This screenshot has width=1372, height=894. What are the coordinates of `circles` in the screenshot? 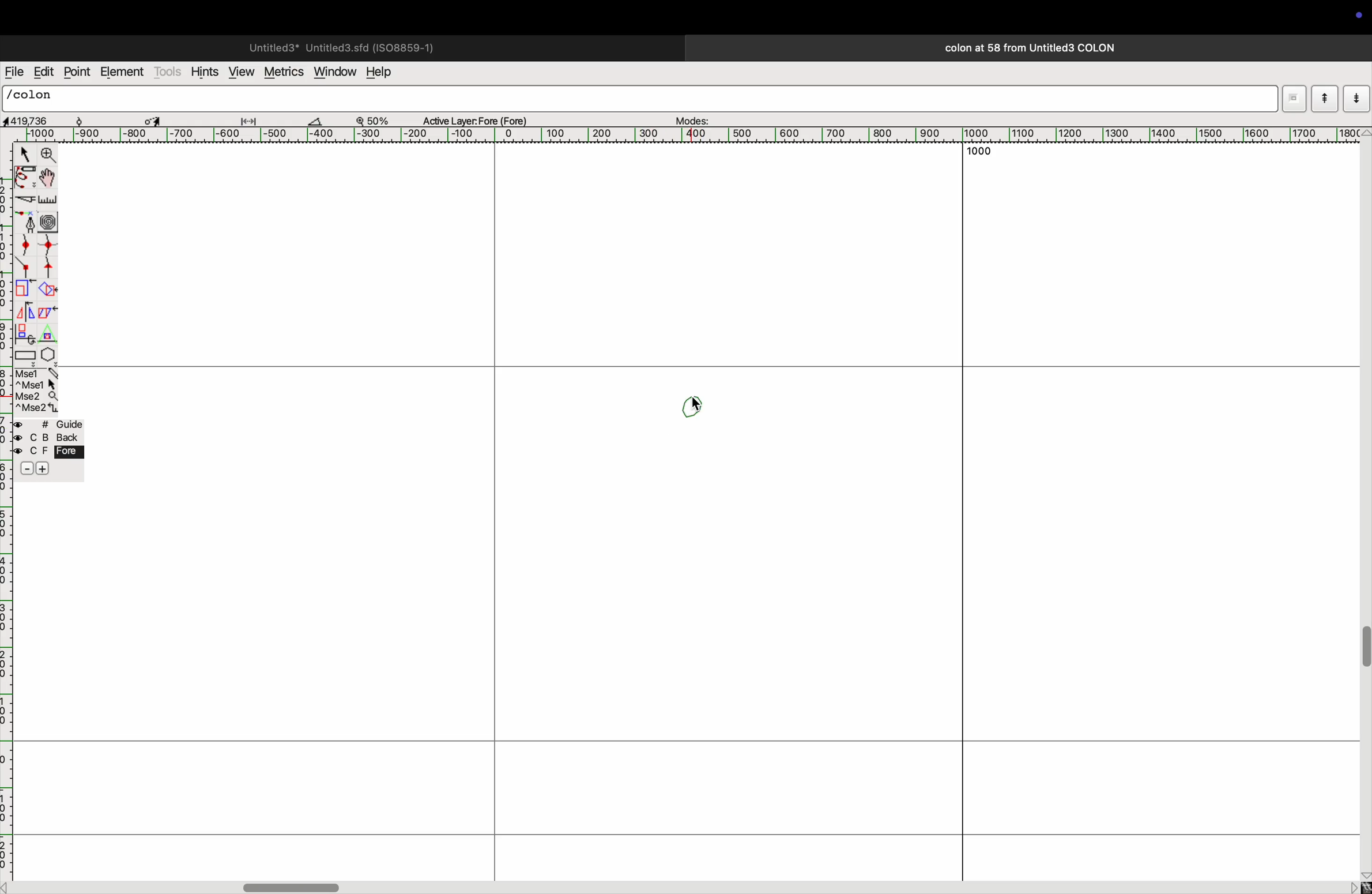 It's located at (51, 220).